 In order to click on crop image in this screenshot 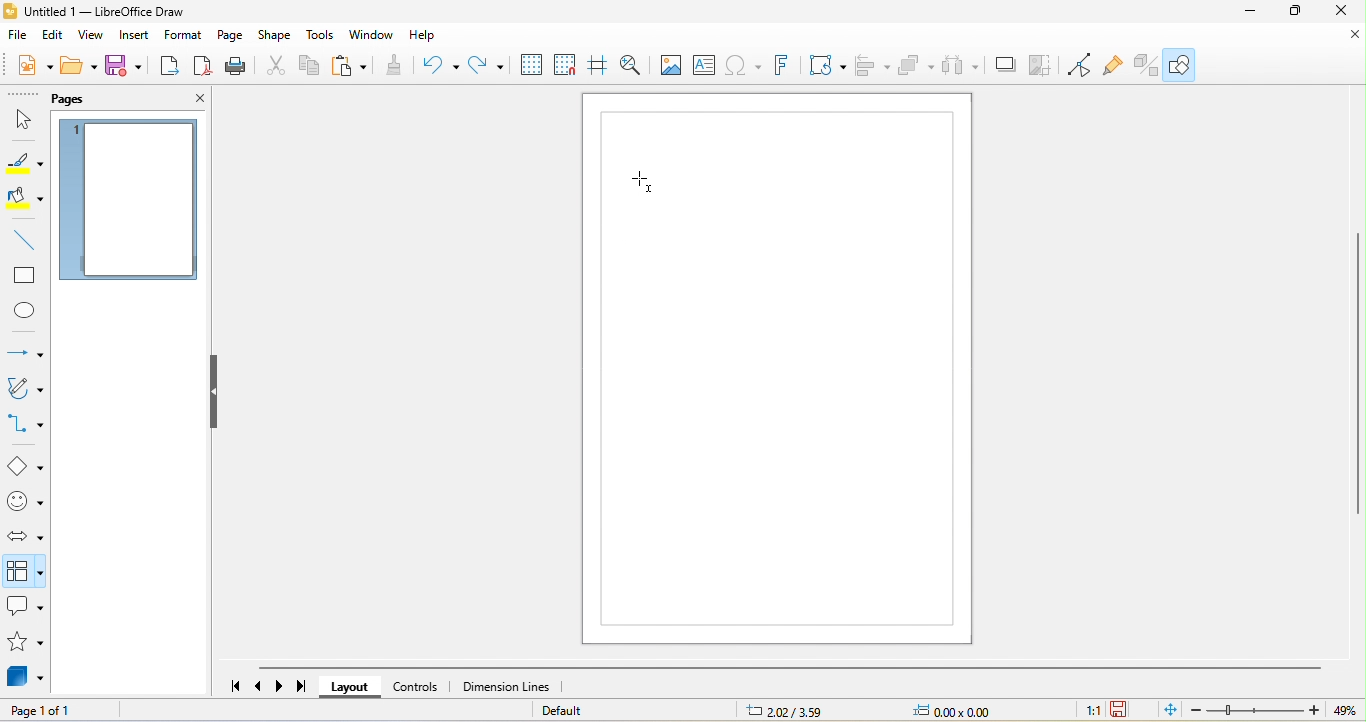, I will do `click(1046, 66)`.